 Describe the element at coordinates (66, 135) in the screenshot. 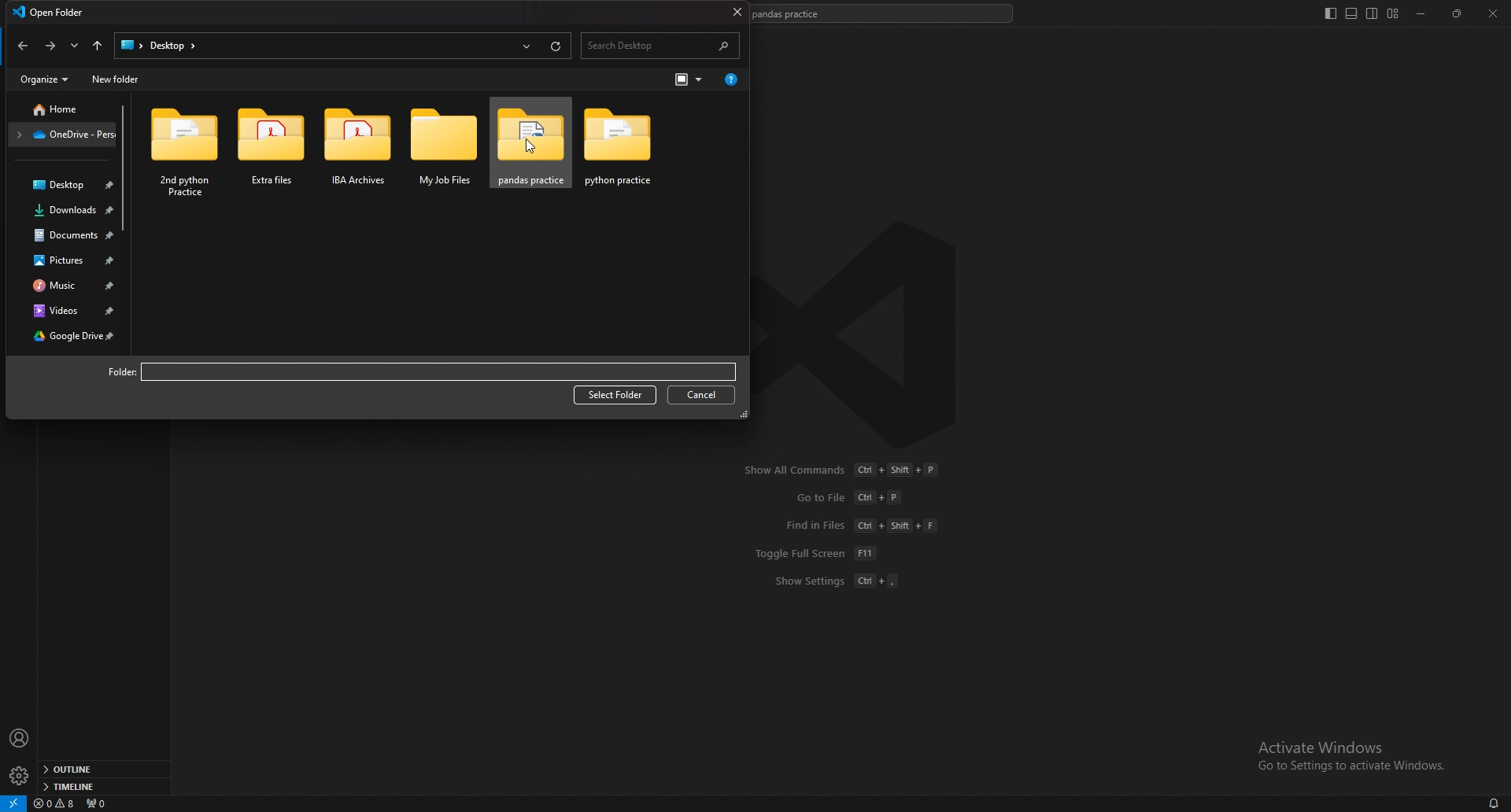

I see `folder` at that location.